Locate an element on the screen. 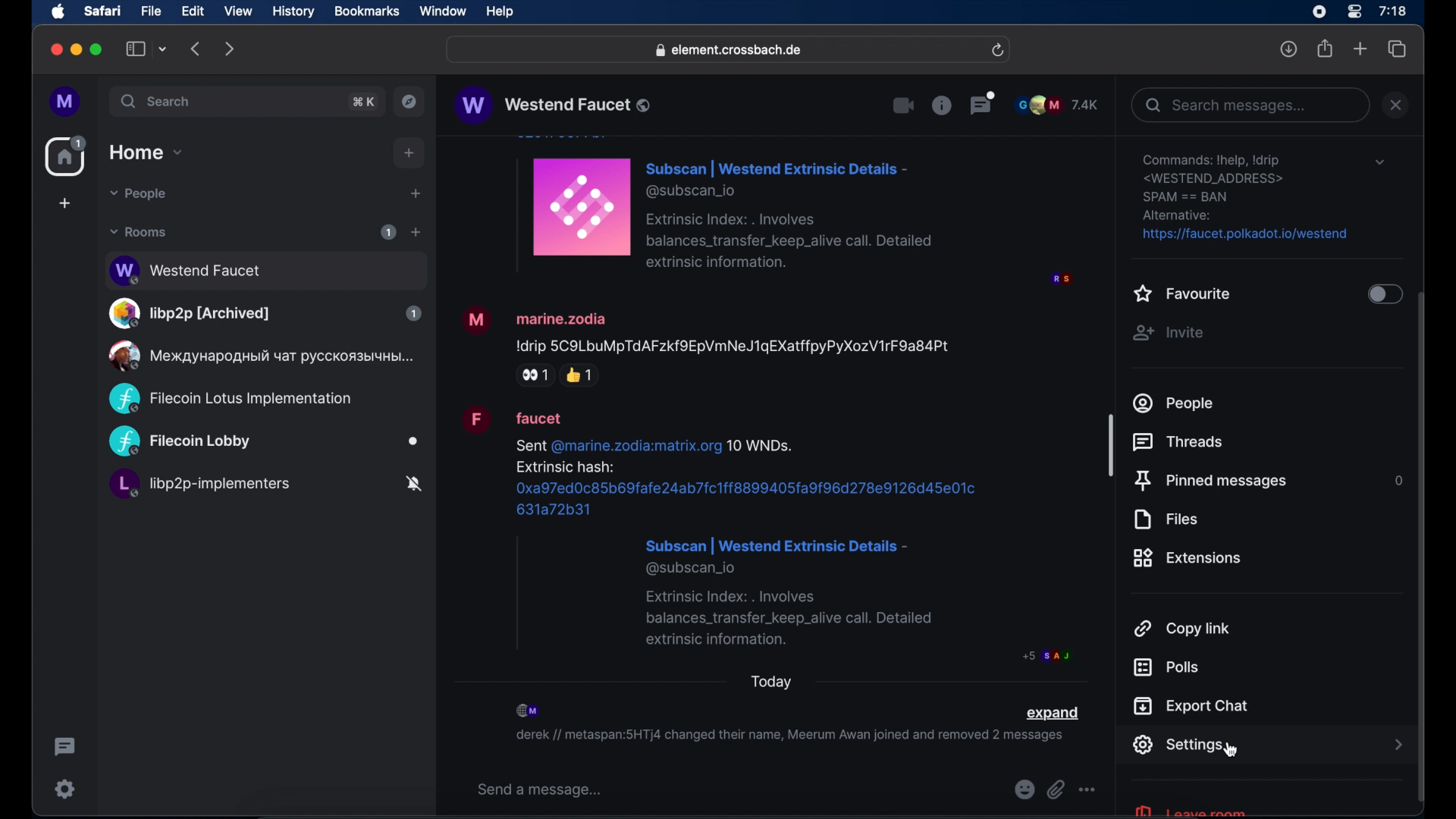  1 is located at coordinates (388, 232).